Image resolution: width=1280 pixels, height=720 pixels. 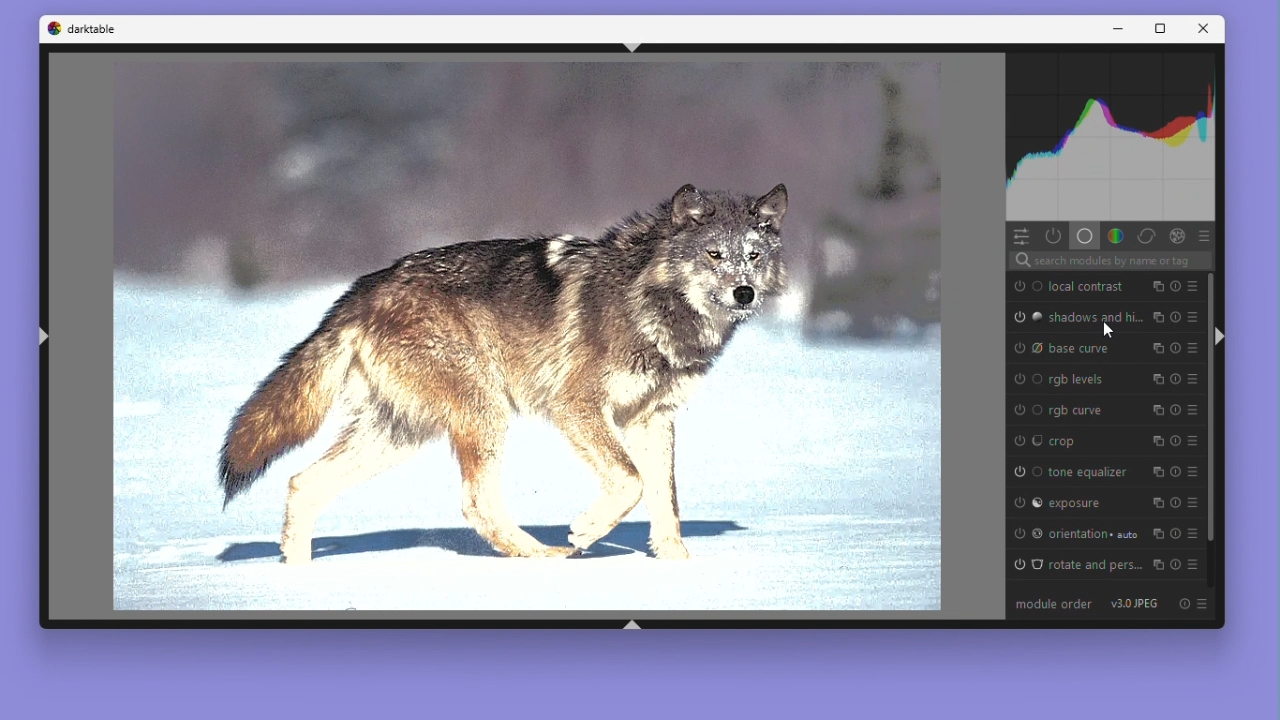 I want to click on multiple instance actions, so click(x=1157, y=410).